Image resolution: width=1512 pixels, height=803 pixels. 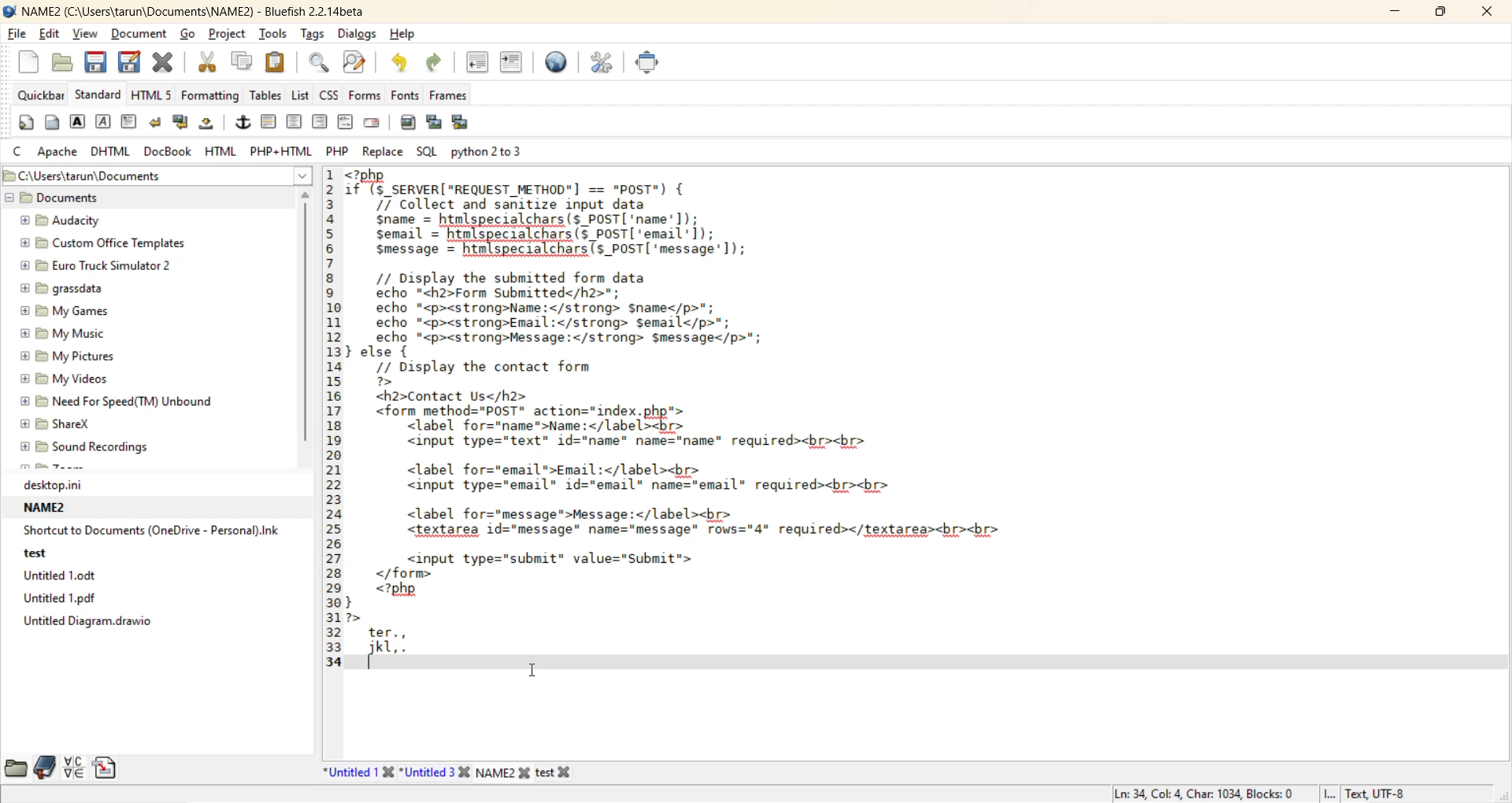 I want to click on replace, so click(x=382, y=152).